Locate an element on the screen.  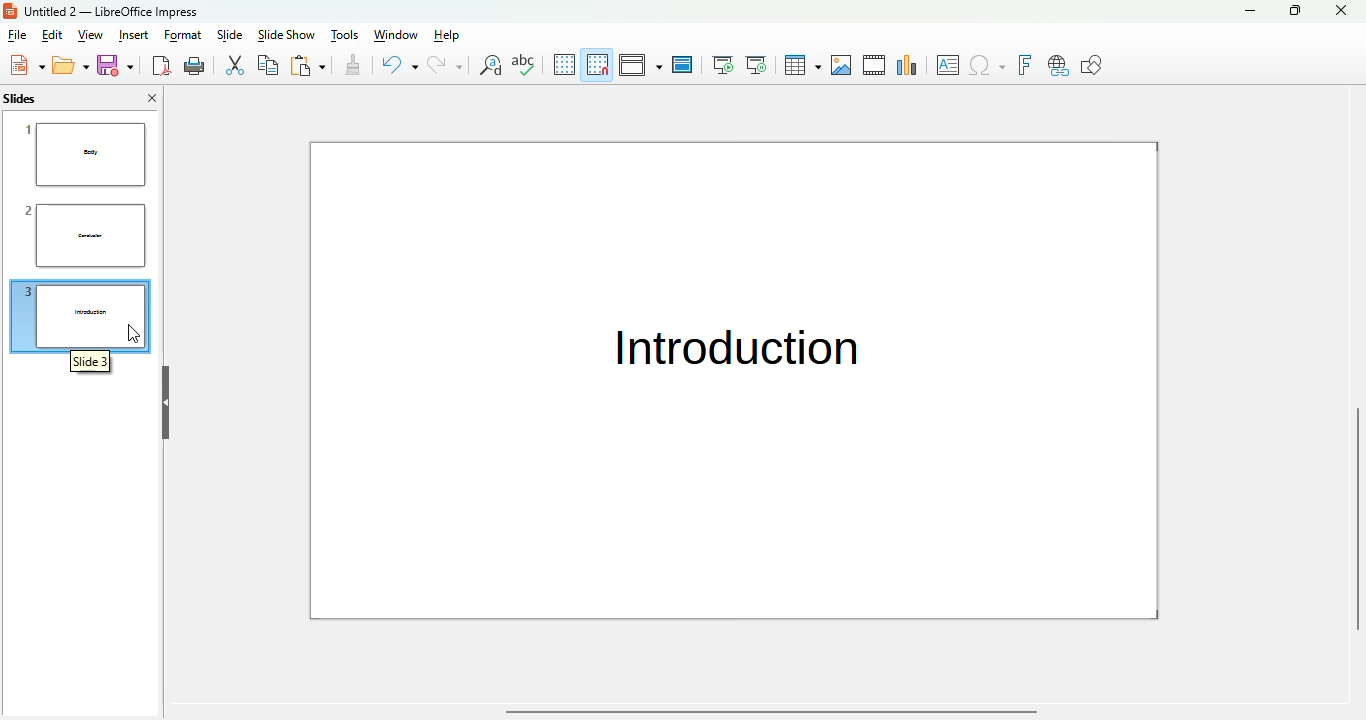
insert is located at coordinates (134, 35).